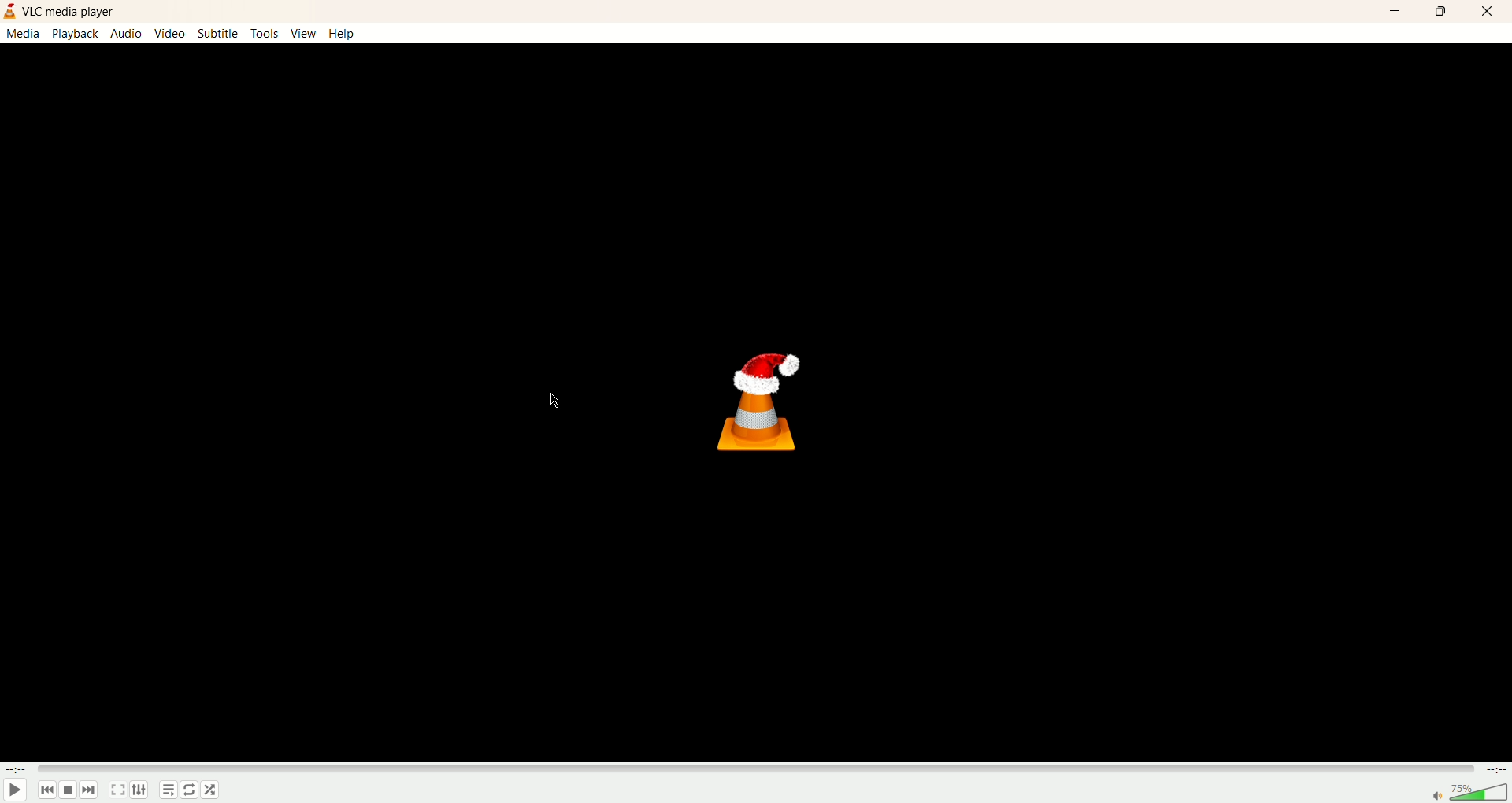 The image size is (1512, 803). I want to click on time, so click(16, 770).